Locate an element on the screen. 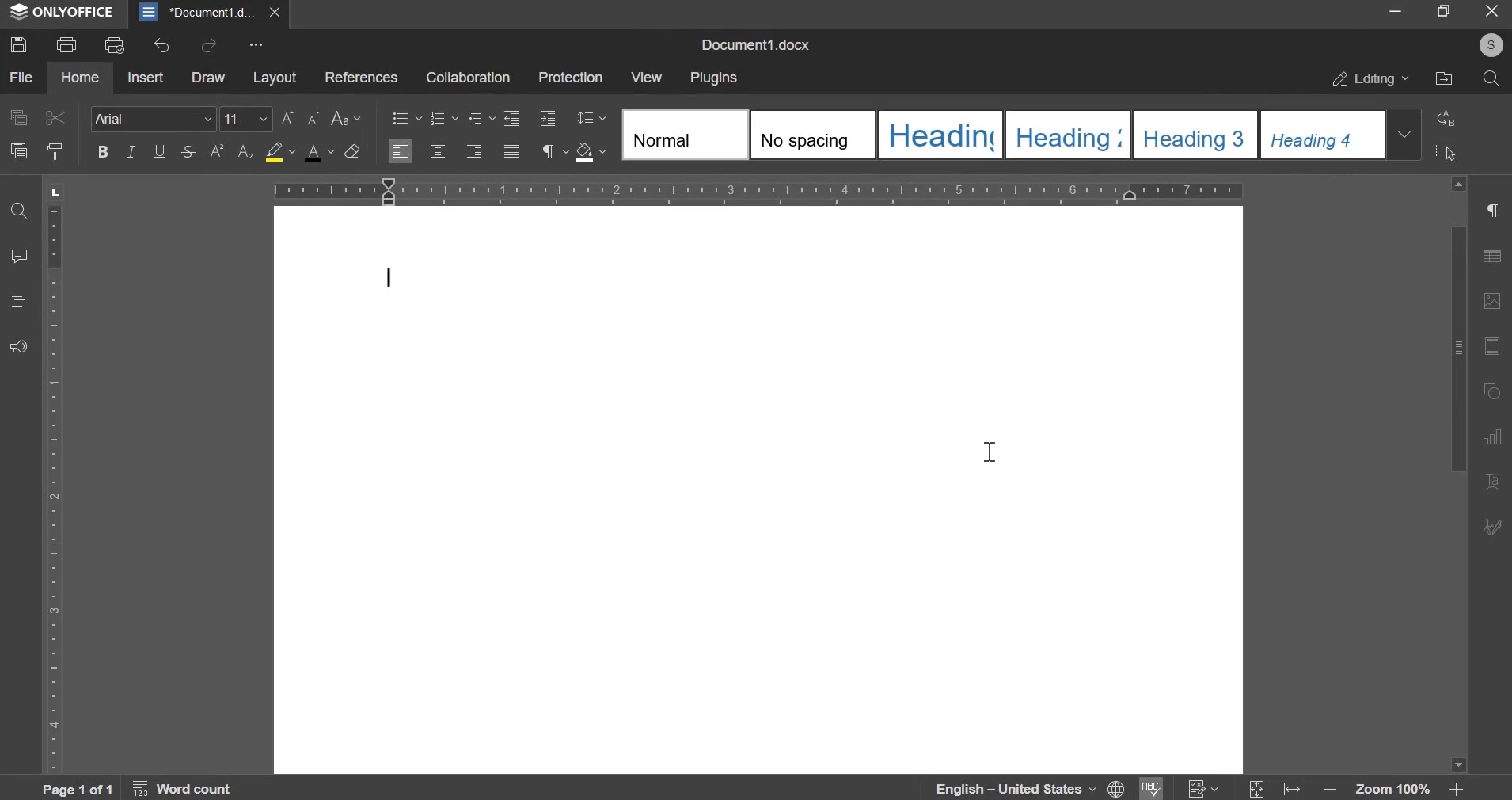  Normal is located at coordinates (683, 135).